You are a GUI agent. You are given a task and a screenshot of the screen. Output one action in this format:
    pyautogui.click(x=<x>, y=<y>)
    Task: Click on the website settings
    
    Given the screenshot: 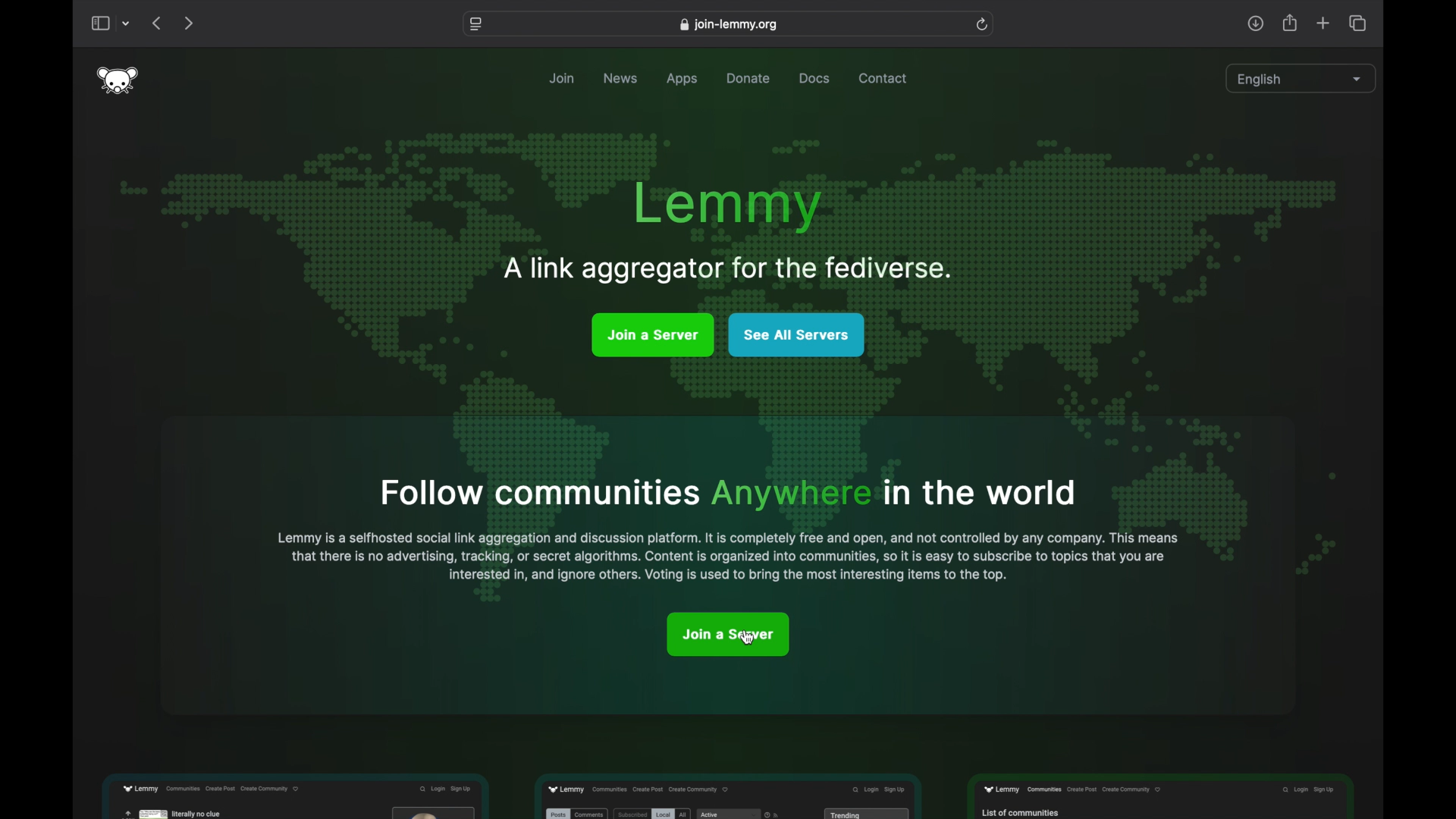 What is the action you would take?
    pyautogui.click(x=477, y=24)
    